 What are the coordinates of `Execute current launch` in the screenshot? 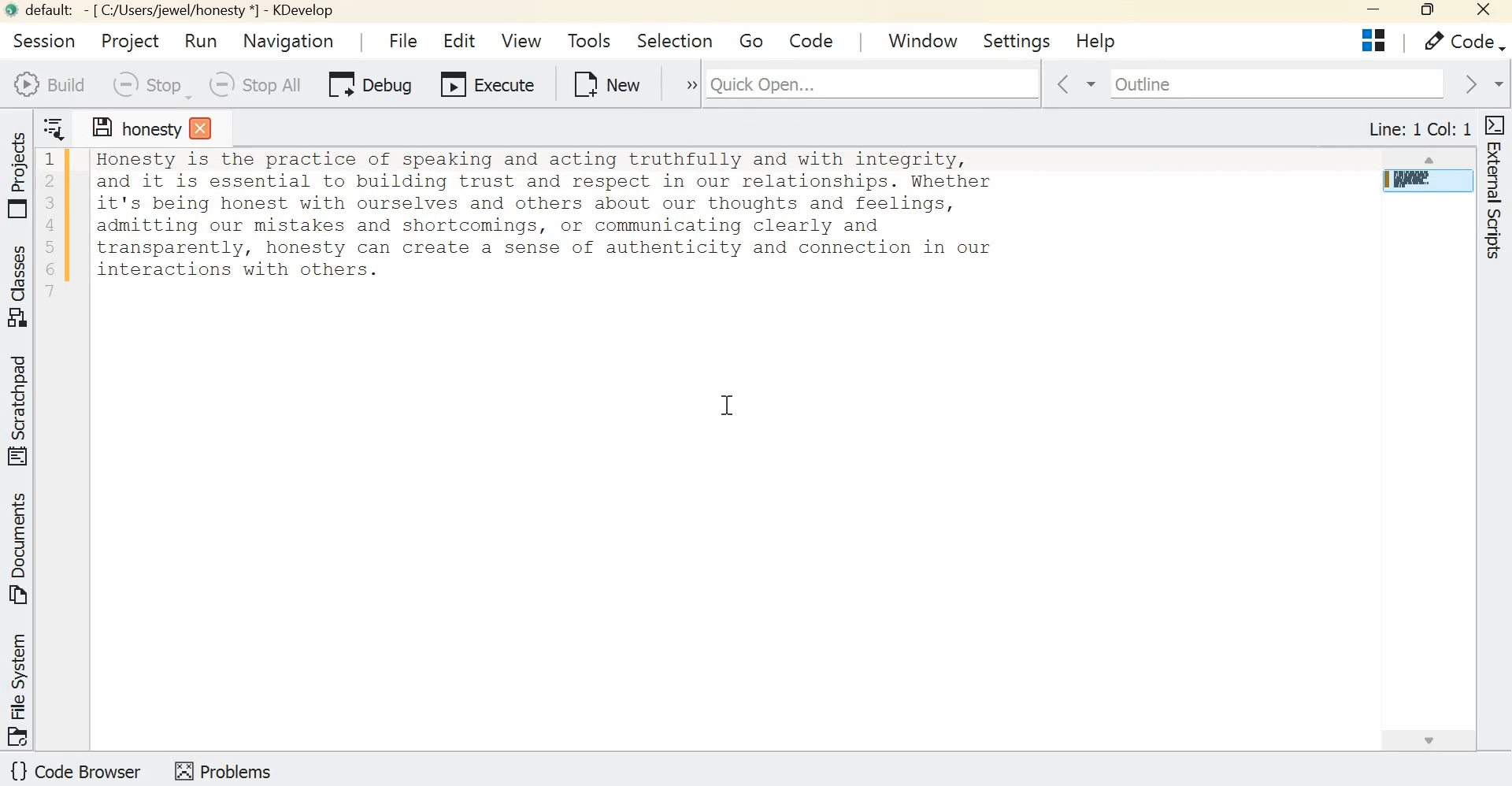 It's located at (487, 87).